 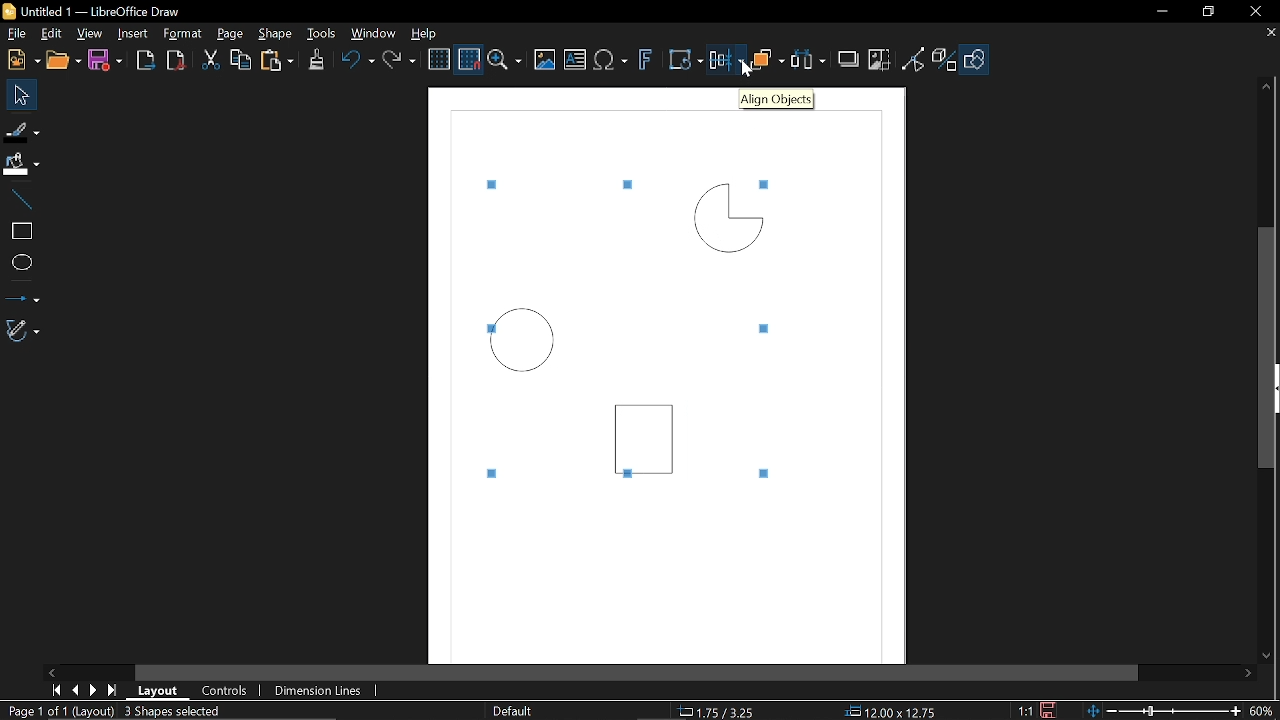 I want to click on Tools, so click(x=321, y=34).